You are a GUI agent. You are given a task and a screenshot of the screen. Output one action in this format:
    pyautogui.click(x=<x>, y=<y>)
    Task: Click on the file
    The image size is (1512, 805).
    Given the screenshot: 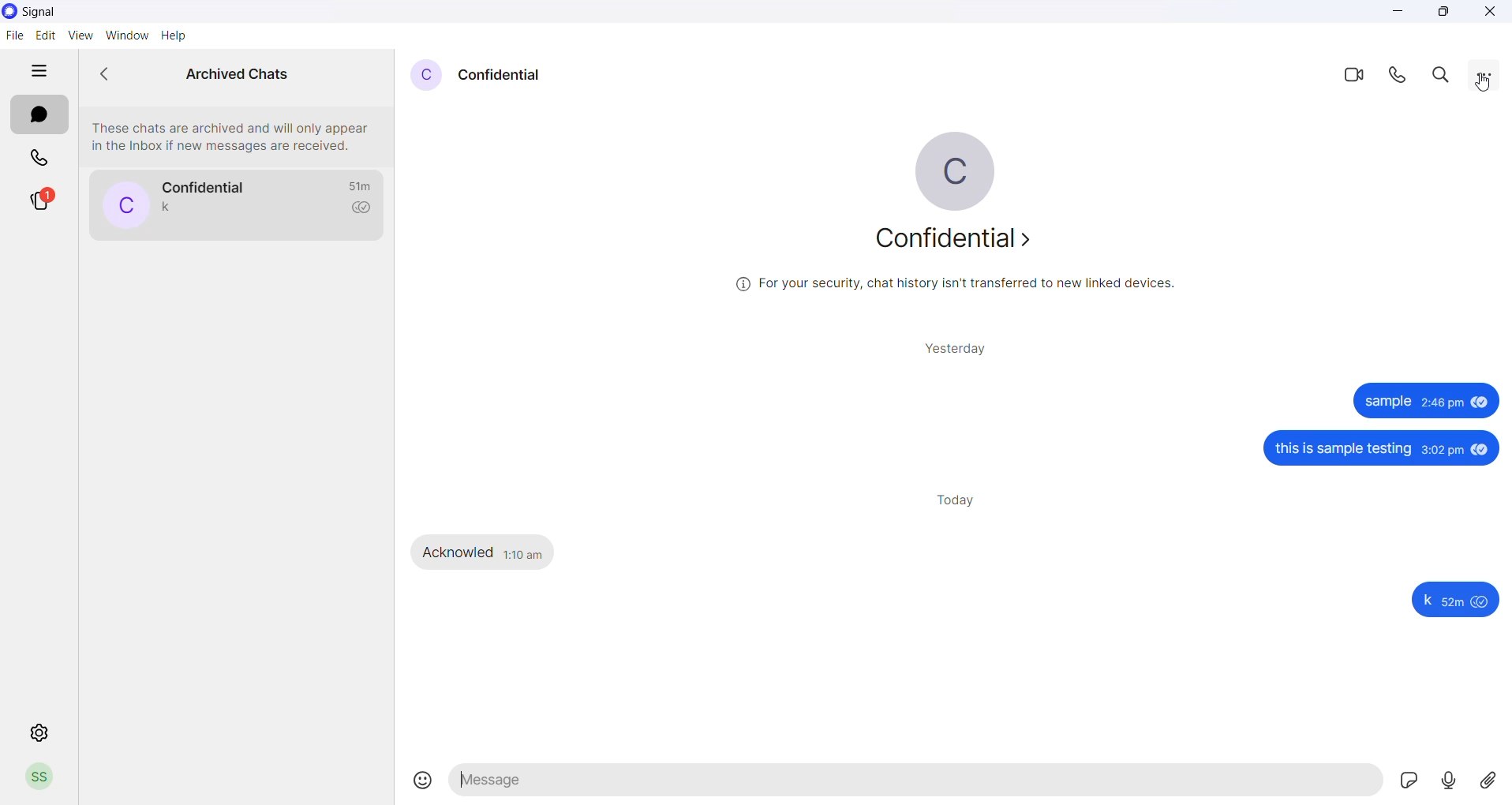 What is the action you would take?
    pyautogui.click(x=14, y=36)
    